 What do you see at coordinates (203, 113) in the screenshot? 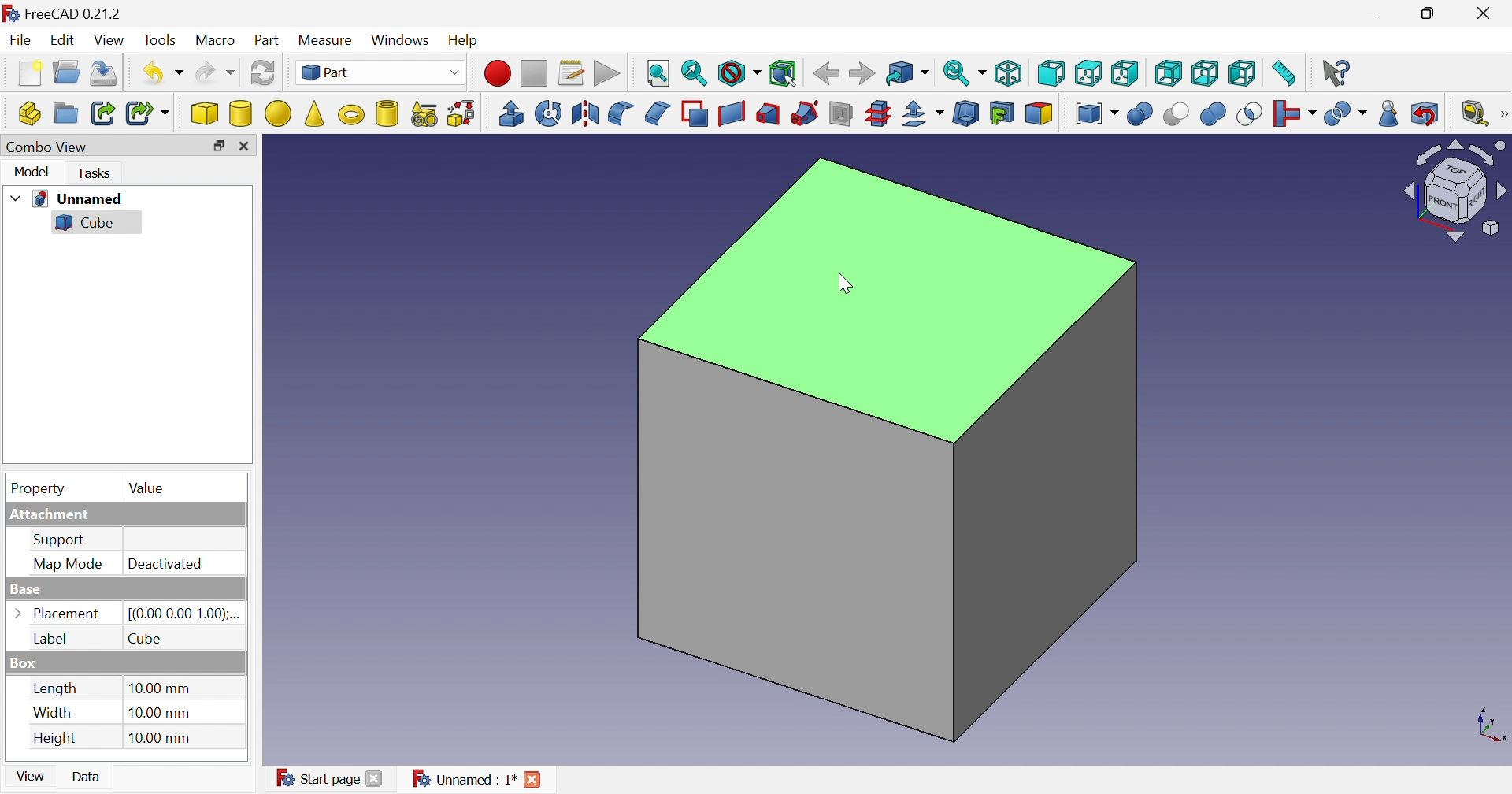
I see `Cube` at bounding box center [203, 113].